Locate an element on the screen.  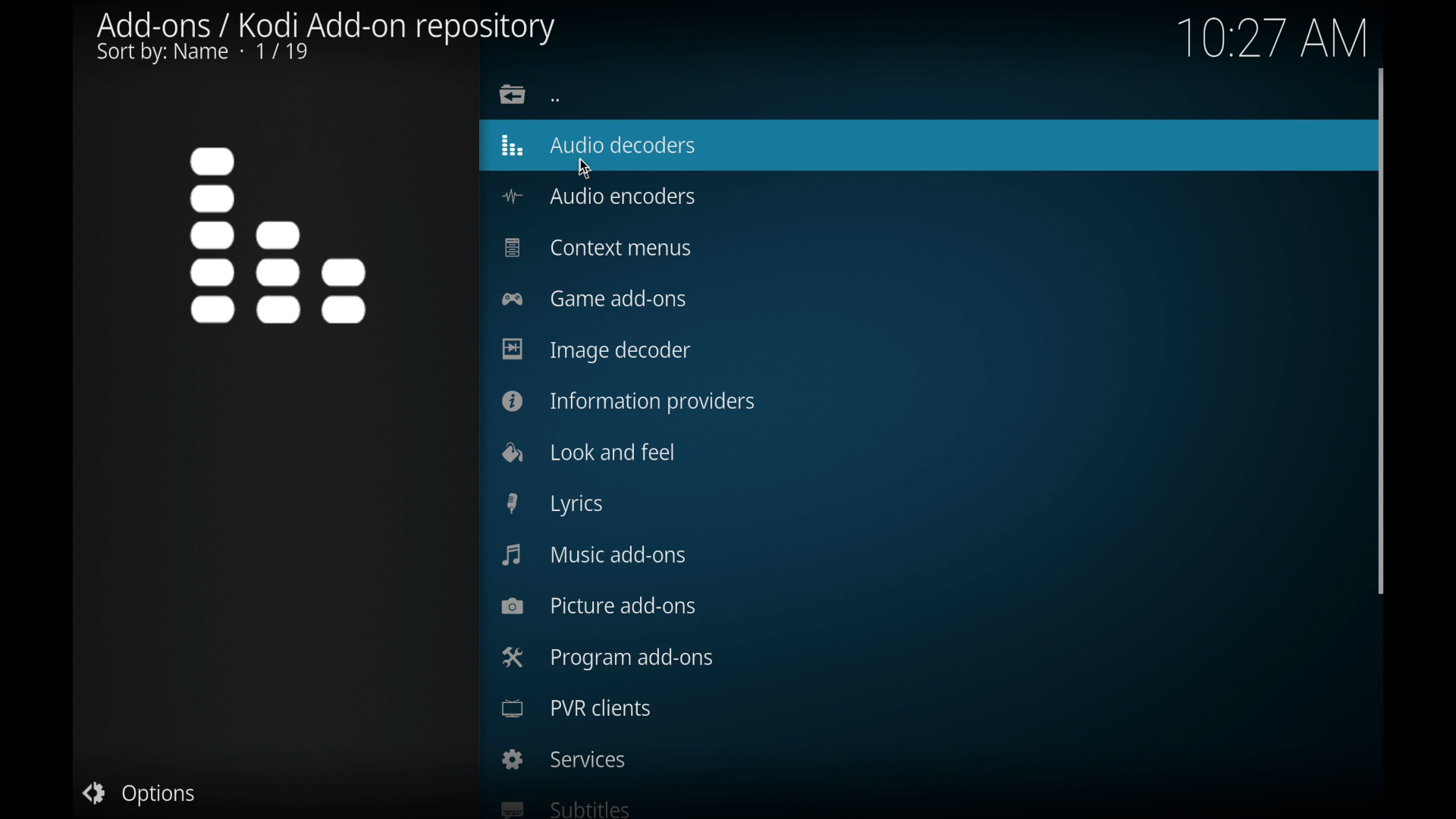
look and feel is located at coordinates (588, 450).